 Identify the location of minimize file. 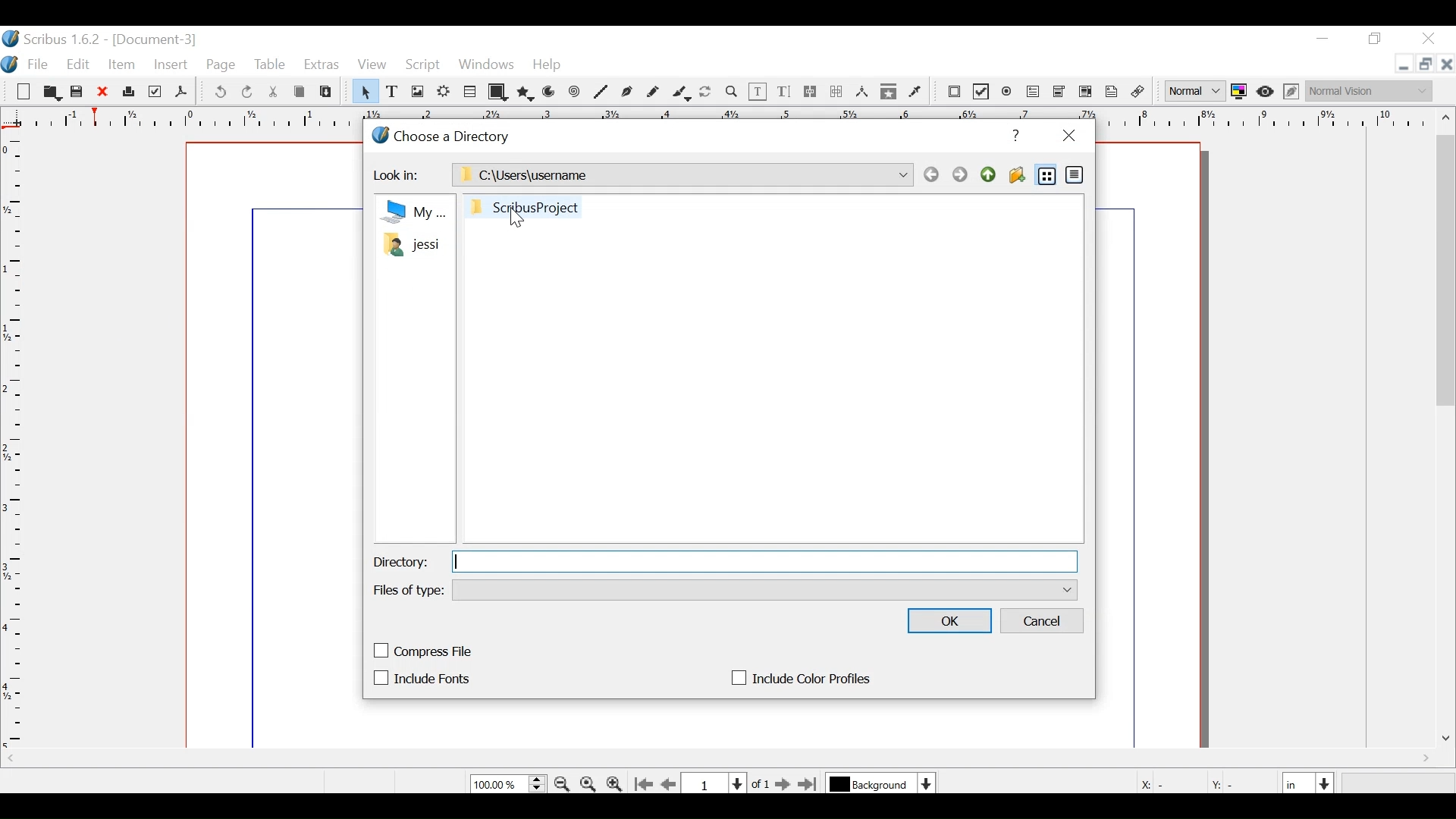
(1401, 64).